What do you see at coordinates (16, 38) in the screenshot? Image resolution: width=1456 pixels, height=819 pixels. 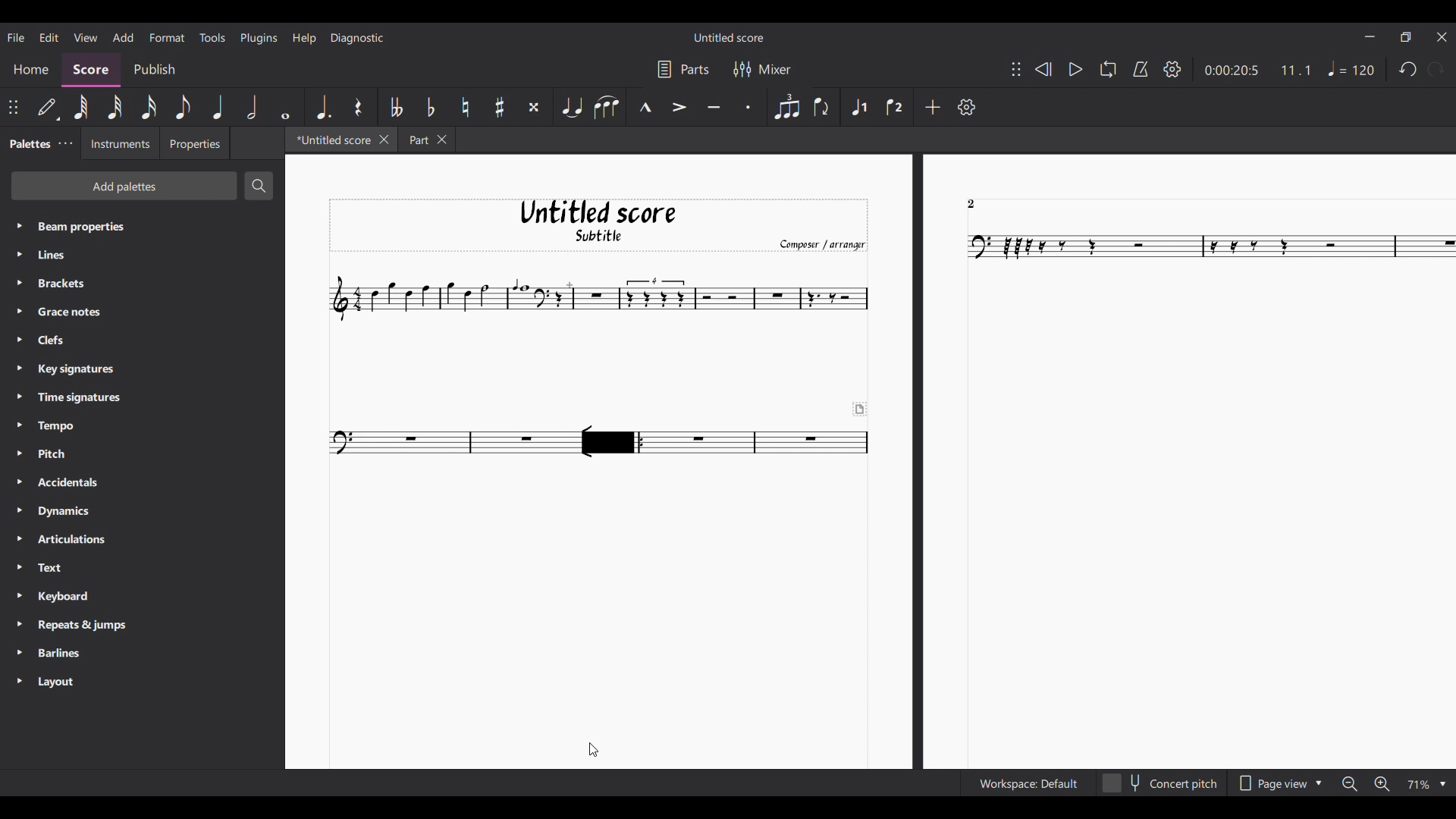 I see `File menu` at bounding box center [16, 38].